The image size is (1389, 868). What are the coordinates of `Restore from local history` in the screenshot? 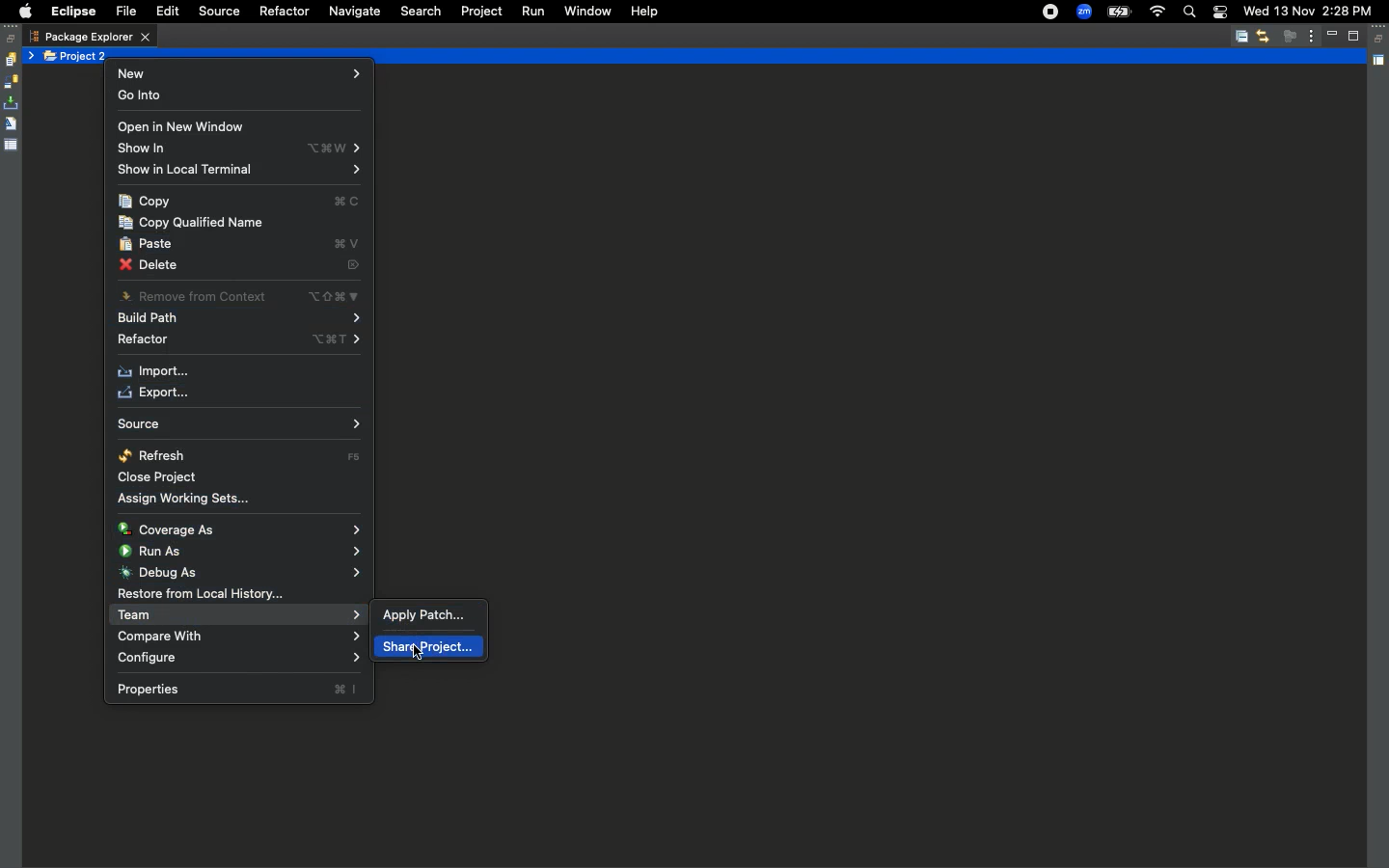 It's located at (201, 595).